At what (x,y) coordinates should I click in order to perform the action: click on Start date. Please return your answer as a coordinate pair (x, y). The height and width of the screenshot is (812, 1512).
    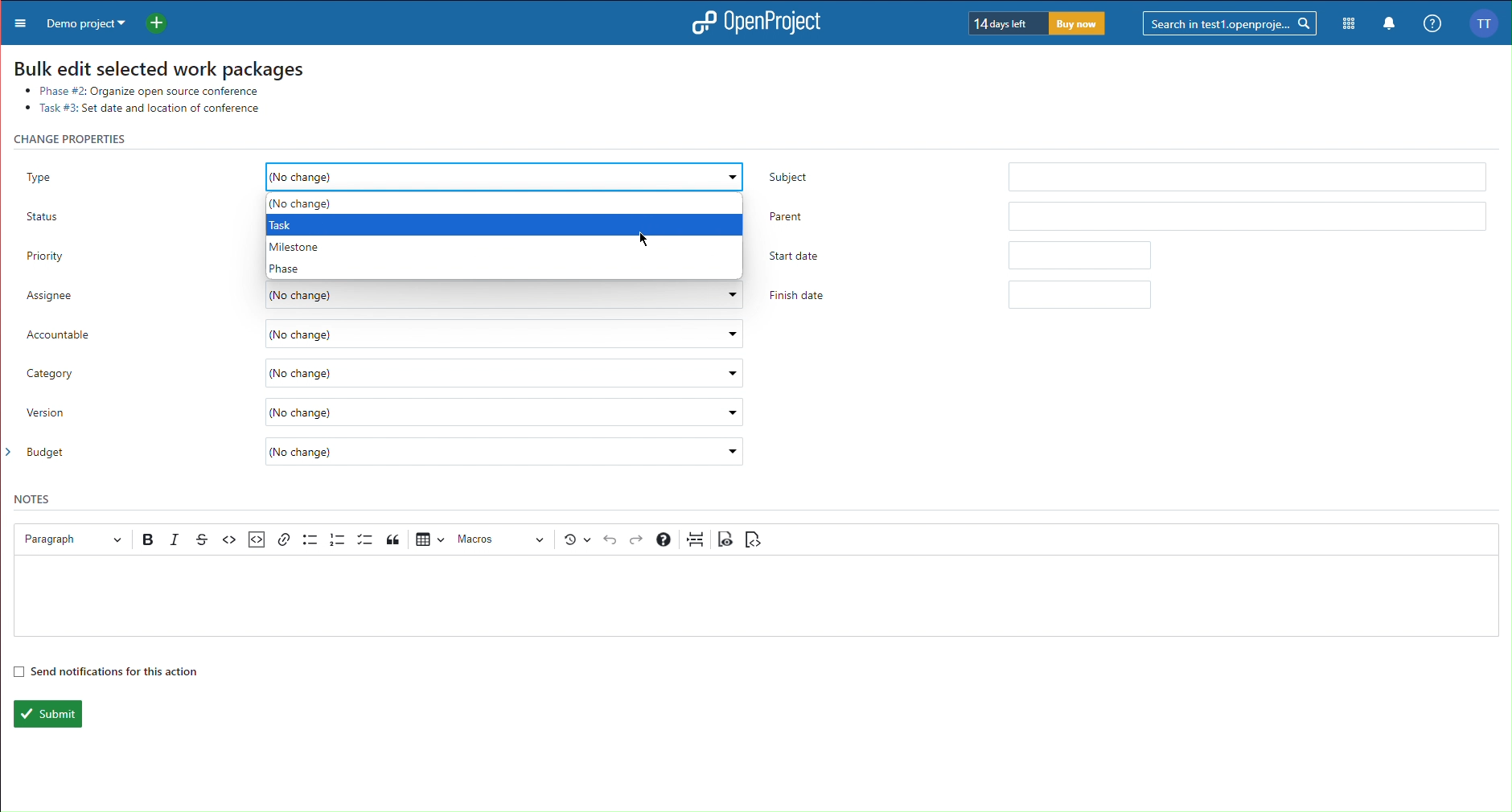
    Looking at the image, I should click on (964, 253).